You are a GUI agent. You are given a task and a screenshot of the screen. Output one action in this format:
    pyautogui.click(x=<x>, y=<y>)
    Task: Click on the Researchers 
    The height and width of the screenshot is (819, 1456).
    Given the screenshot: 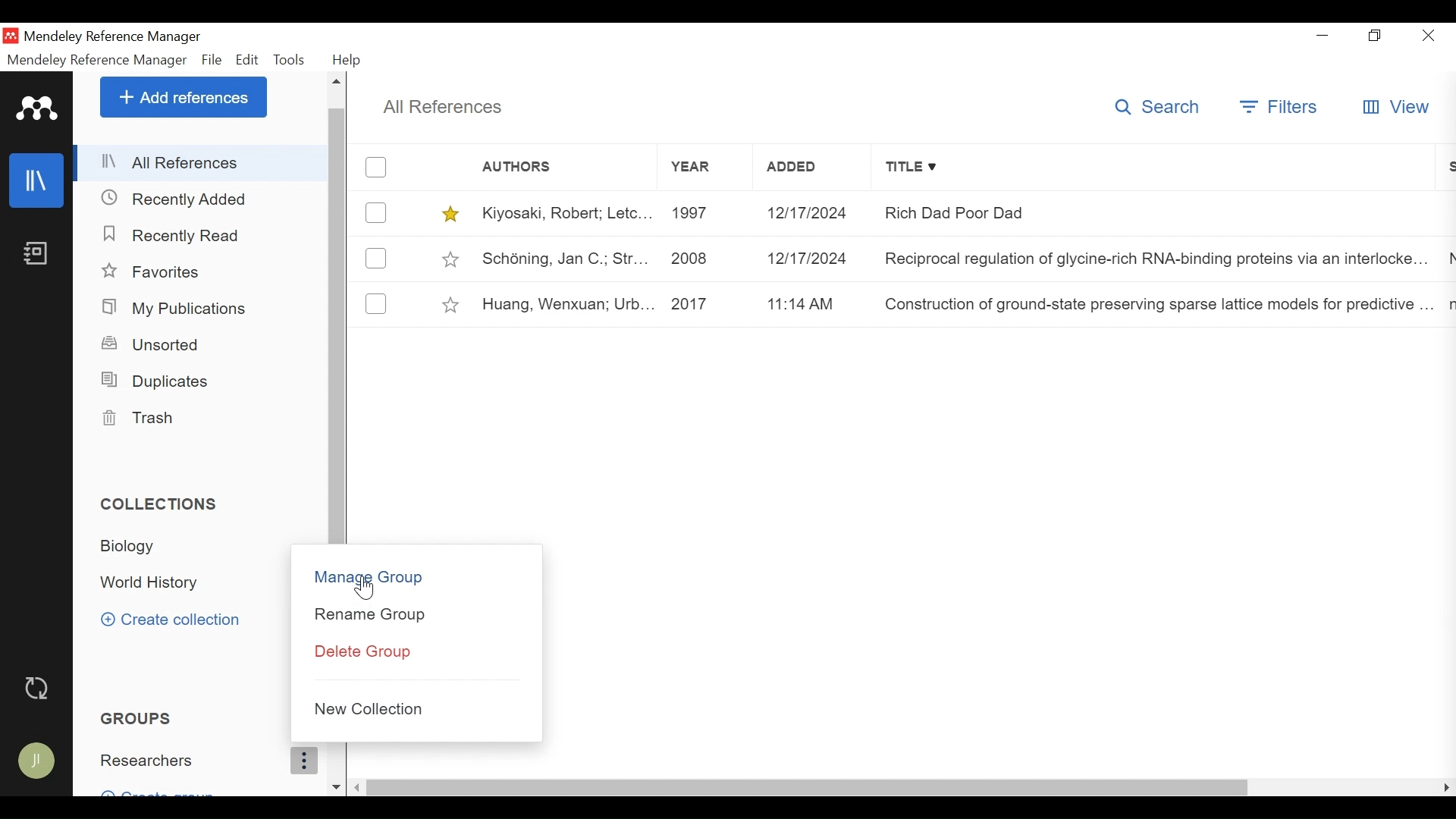 What is the action you would take?
    pyautogui.click(x=204, y=763)
    